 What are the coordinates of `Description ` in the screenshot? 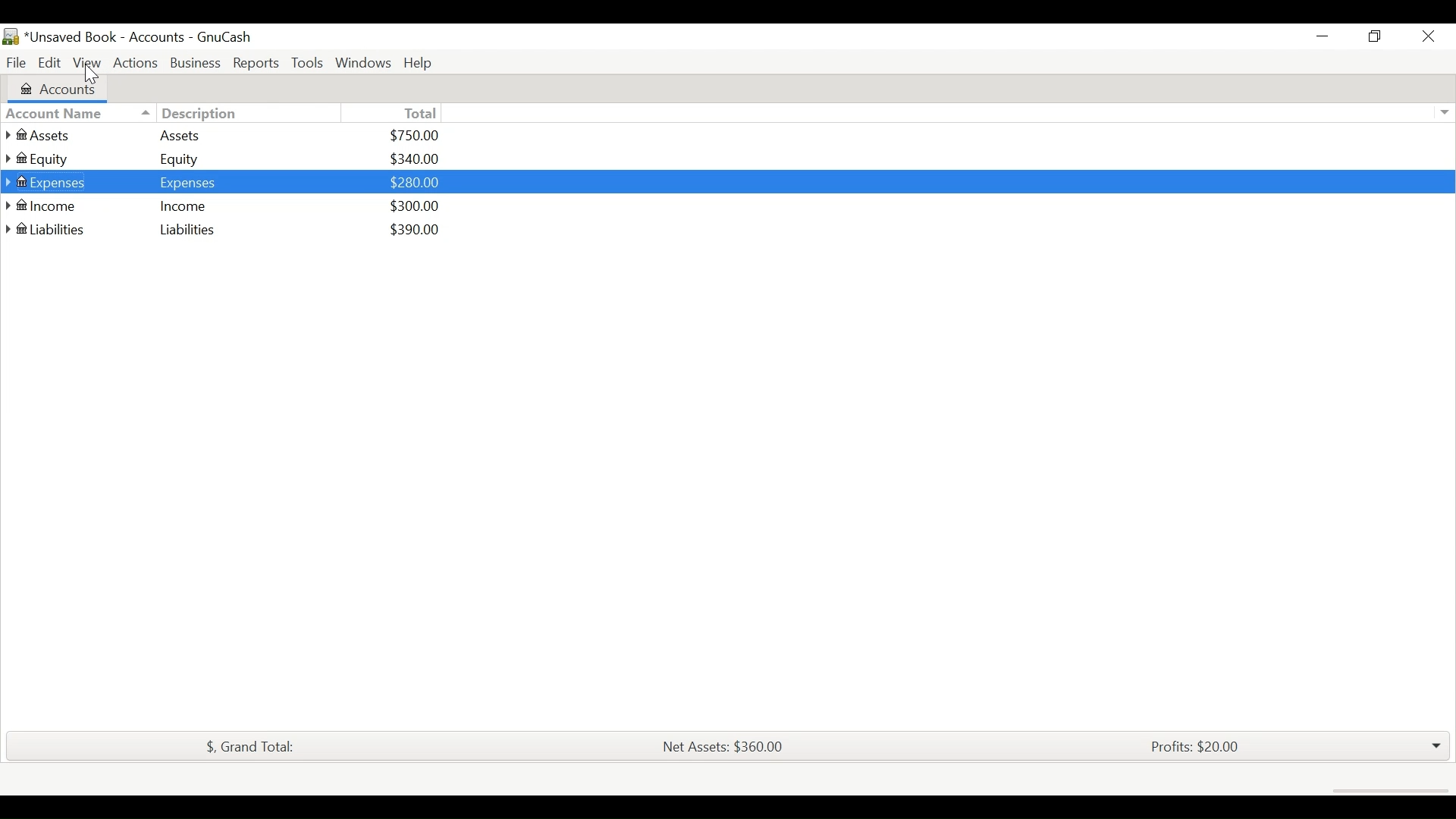 It's located at (187, 114).